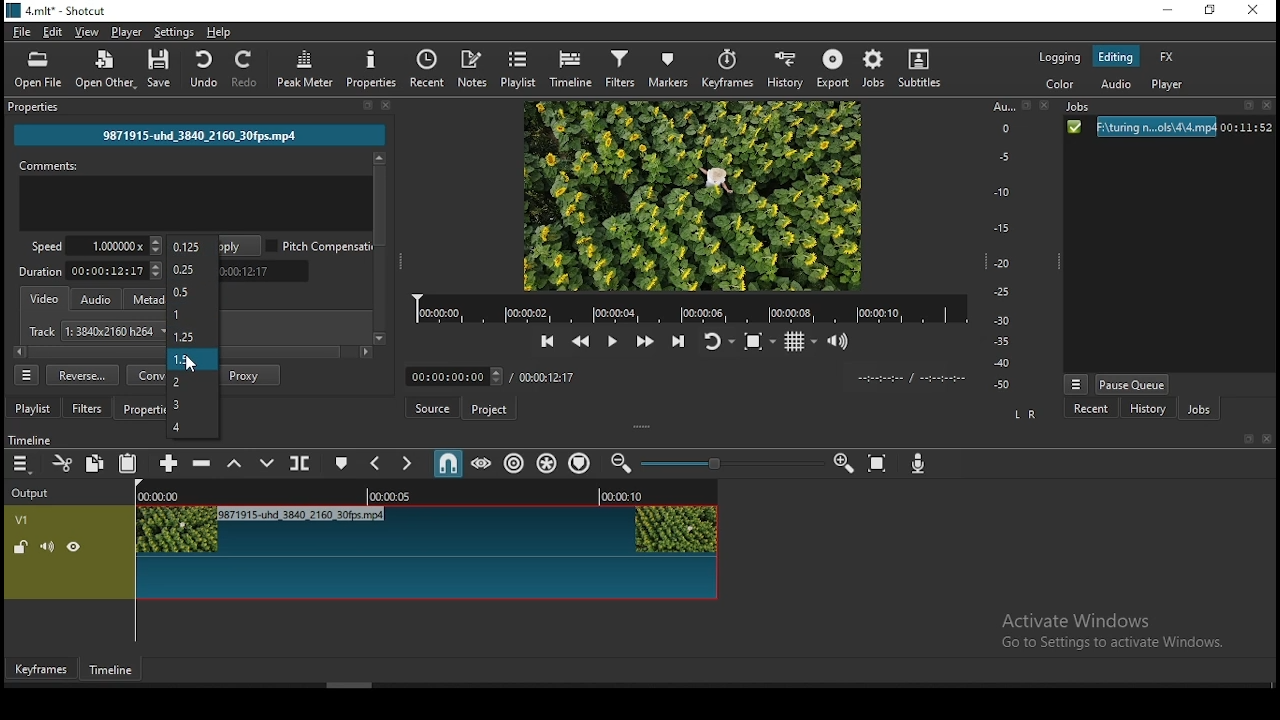 This screenshot has height=720, width=1280. Describe the element at coordinates (763, 341) in the screenshot. I see `toggle zoom` at that location.